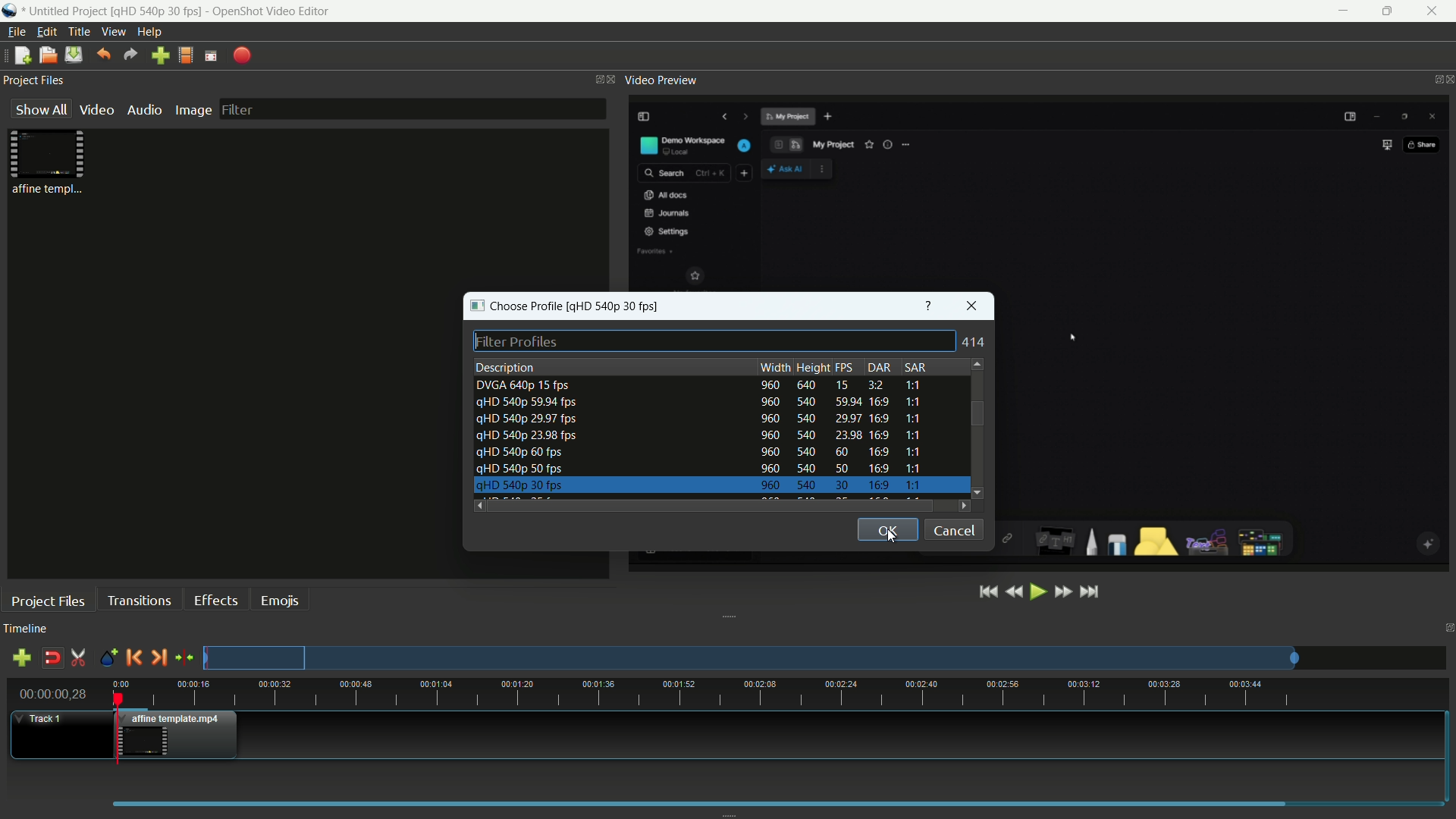 The image size is (1456, 819). Describe the element at coordinates (271, 11) in the screenshot. I see `app name` at that location.